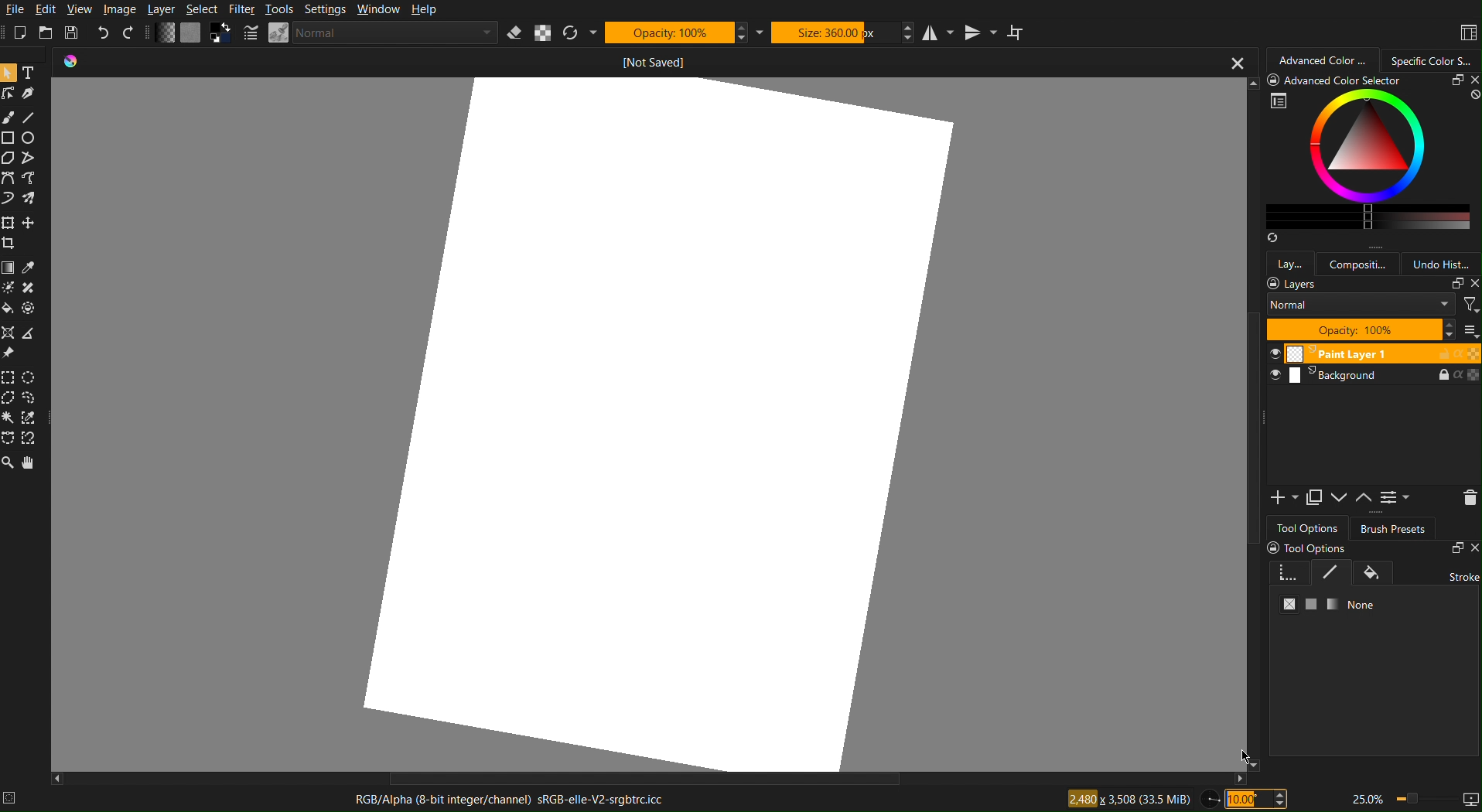 The height and width of the screenshot is (812, 1482). I want to click on filter, so click(1470, 304).